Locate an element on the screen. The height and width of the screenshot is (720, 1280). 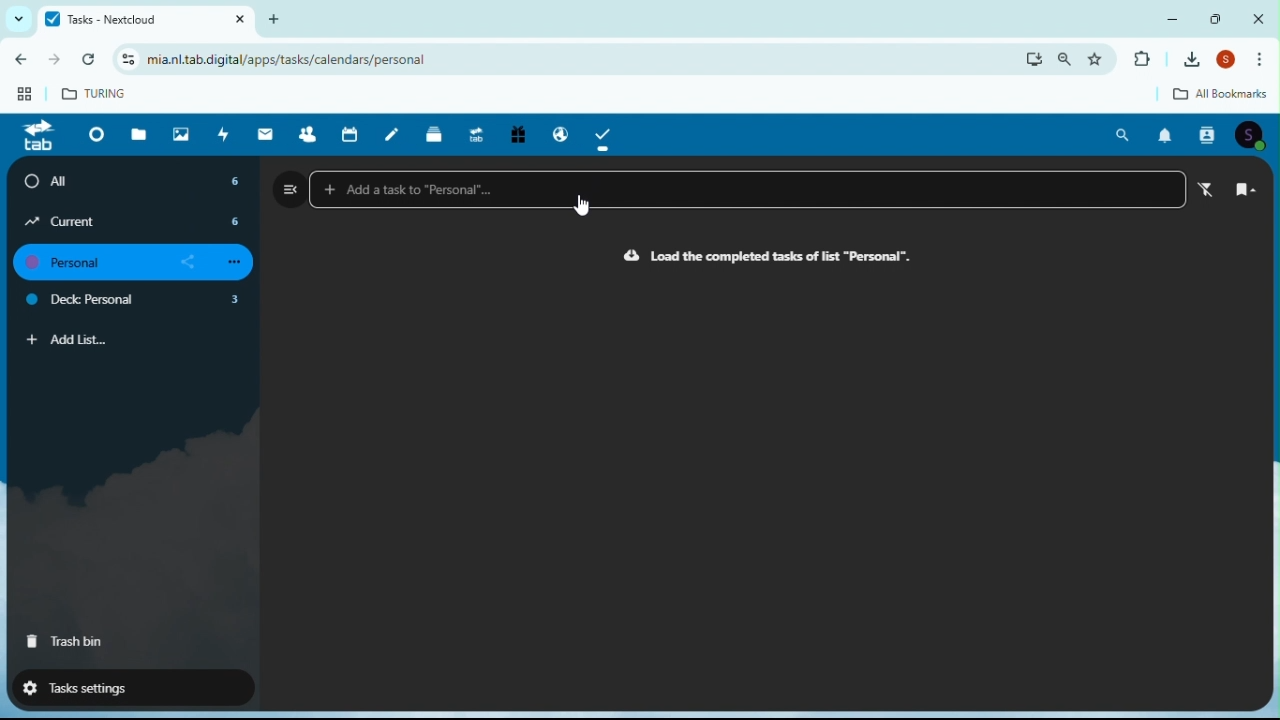
tasks - next cloud is located at coordinates (143, 19).